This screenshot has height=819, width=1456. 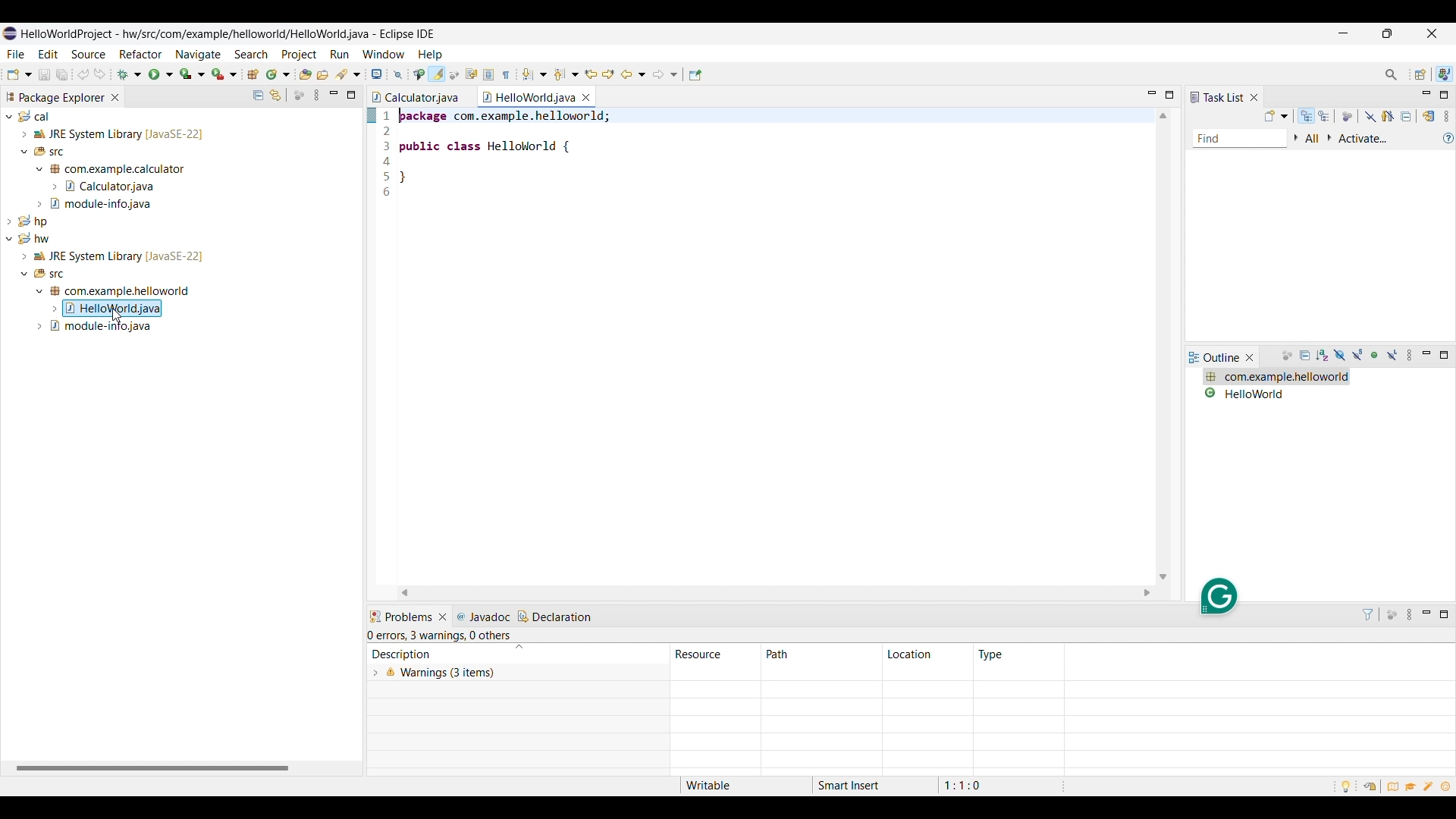 I want to click on Add new task and related options, so click(x=1277, y=116).